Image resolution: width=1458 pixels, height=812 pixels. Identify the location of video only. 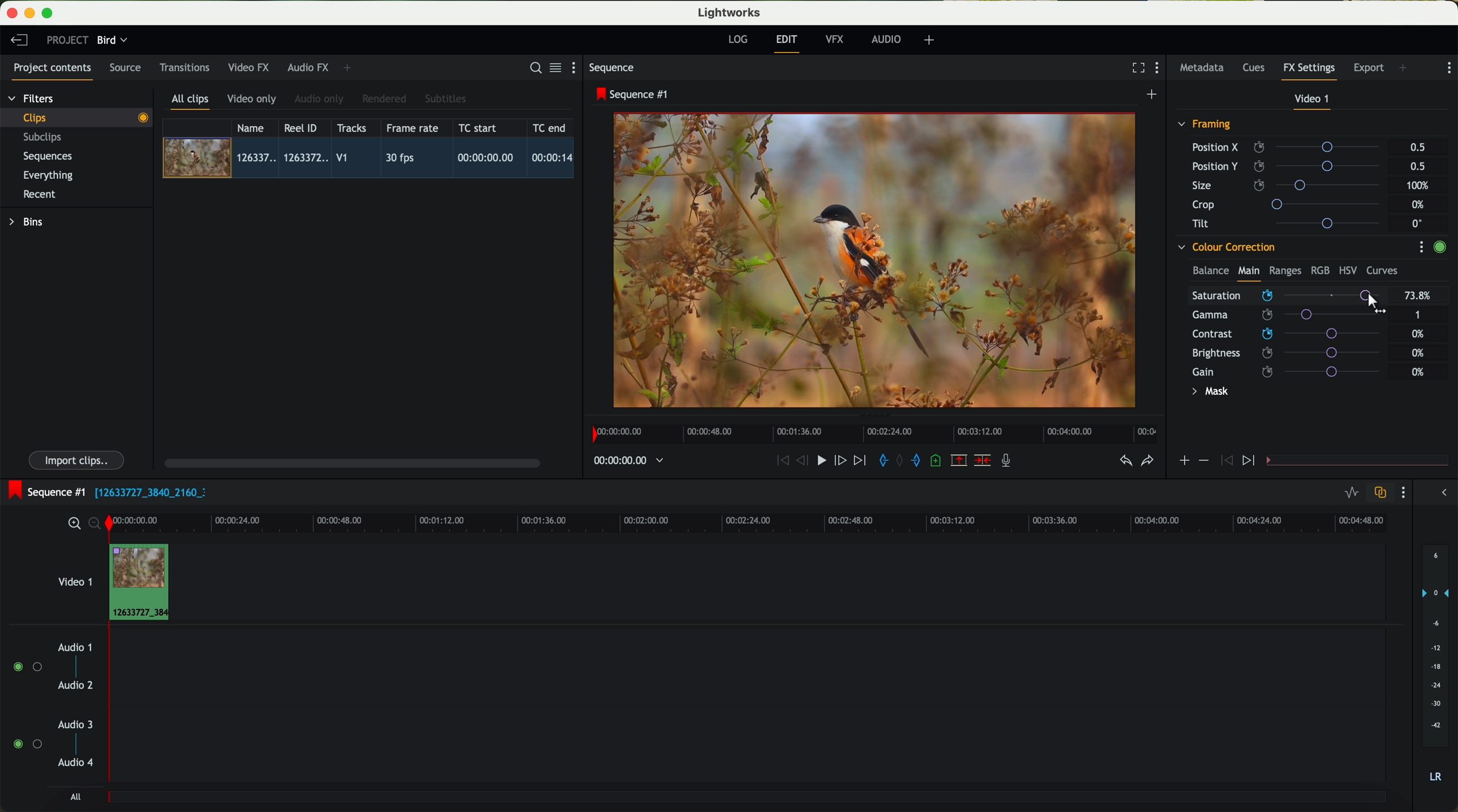
(251, 100).